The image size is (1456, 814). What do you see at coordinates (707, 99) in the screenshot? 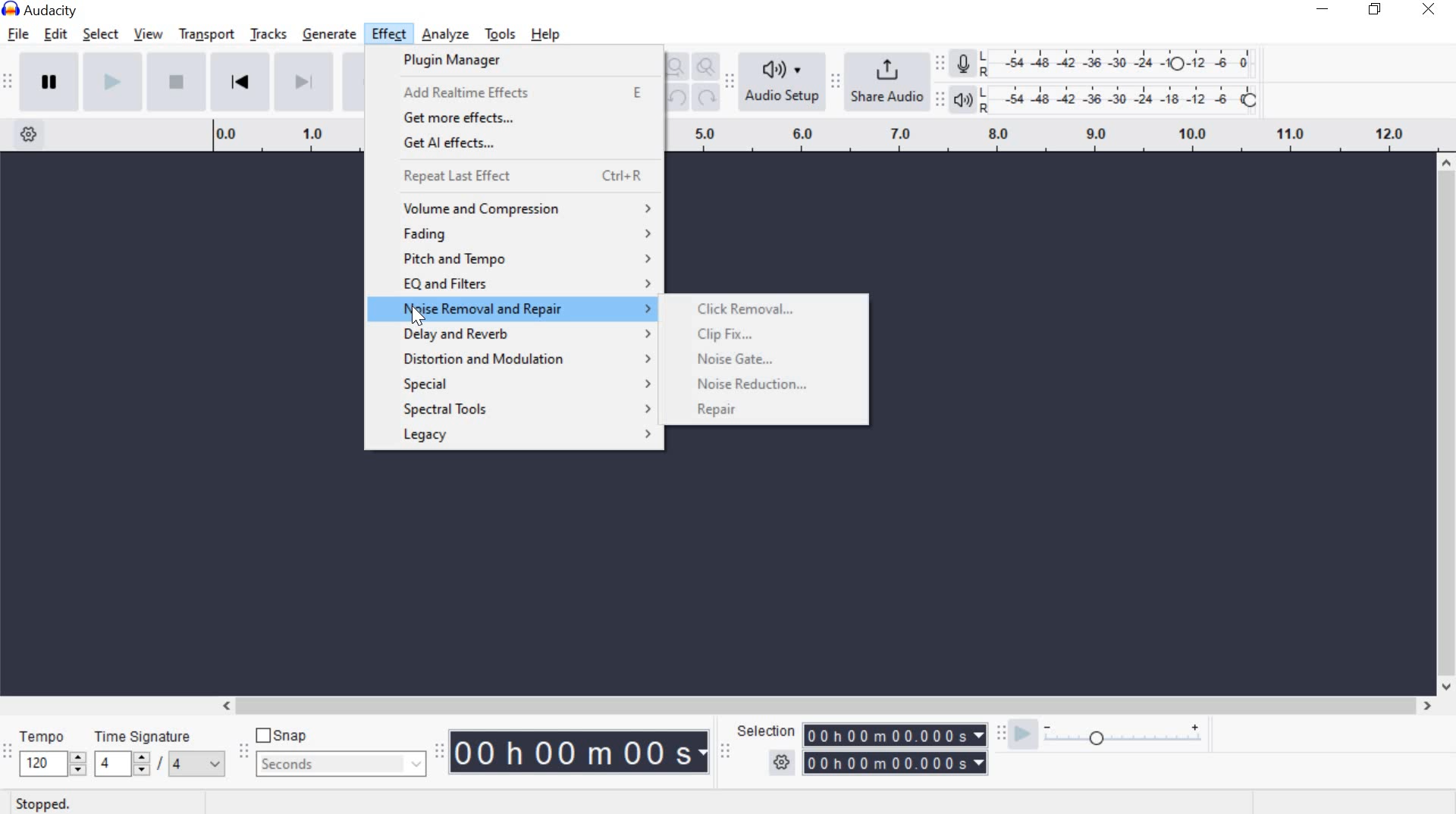
I see `Redo` at bounding box center [707, 99].